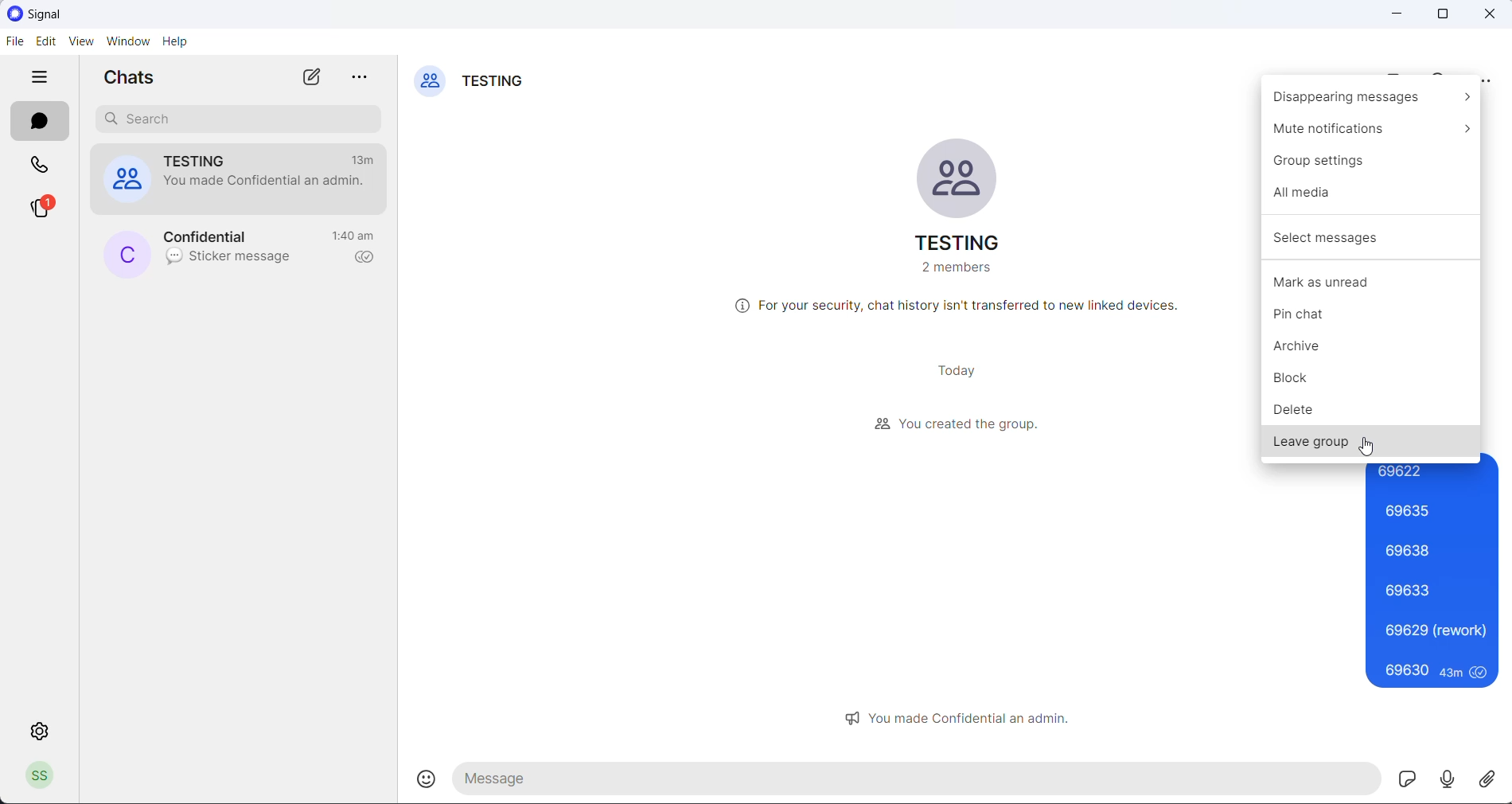  I want to click on group name, so click(497, 84).